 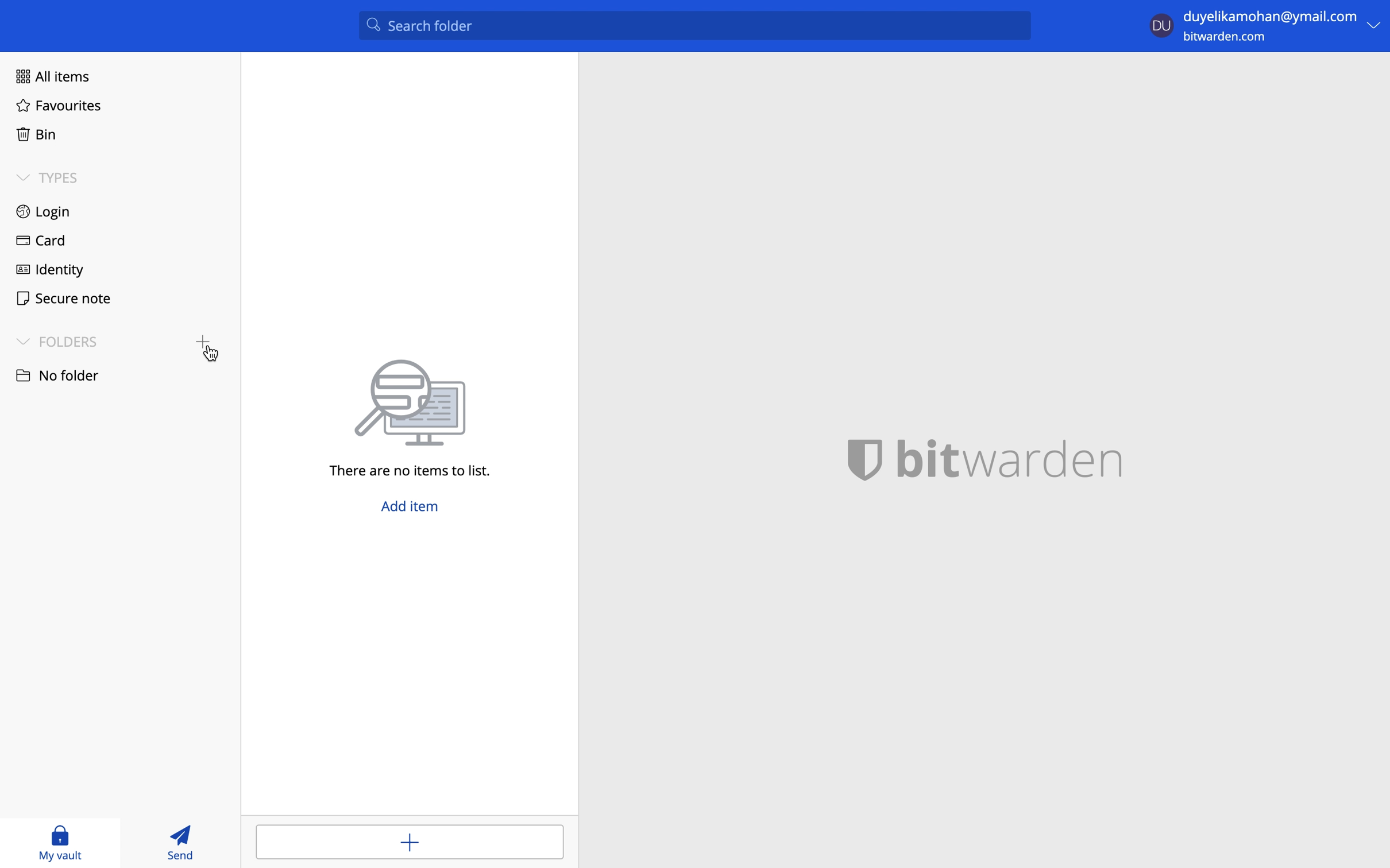 I want to click on search folder, so click(x=695, y=25).